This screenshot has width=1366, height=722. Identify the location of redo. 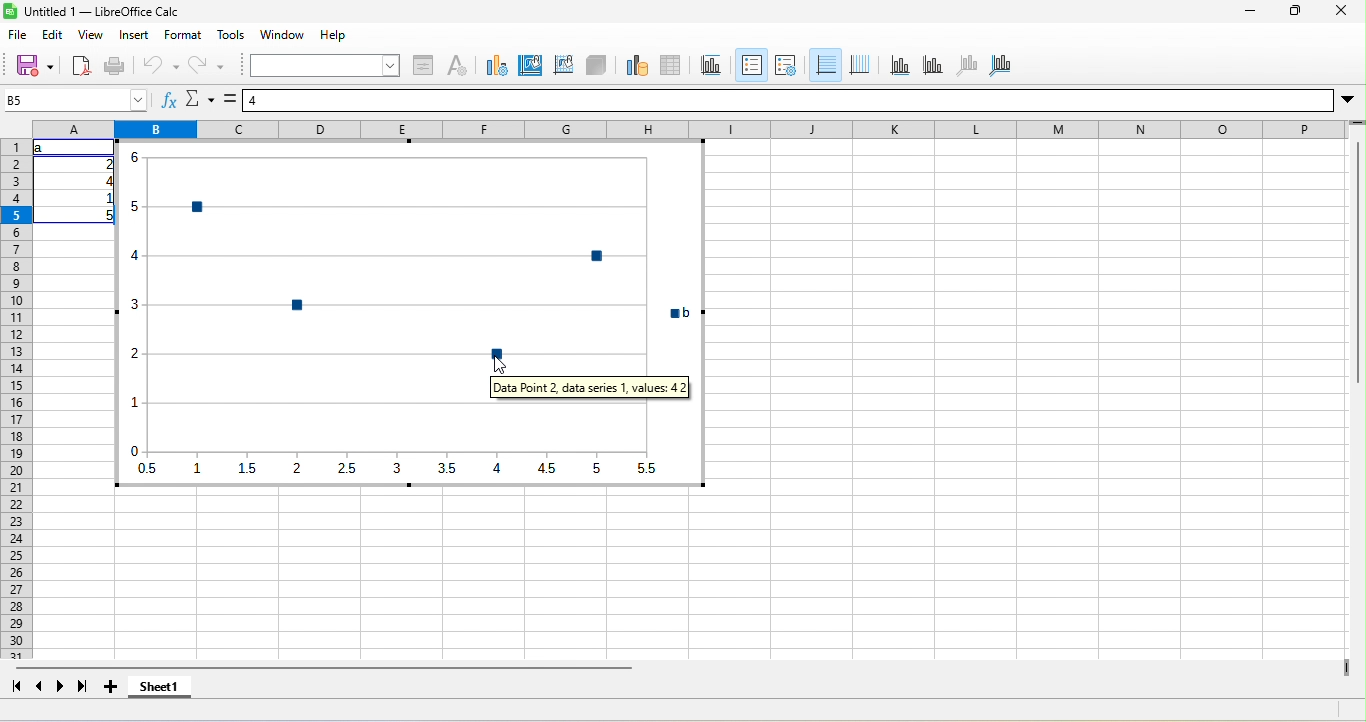
(206, 66).